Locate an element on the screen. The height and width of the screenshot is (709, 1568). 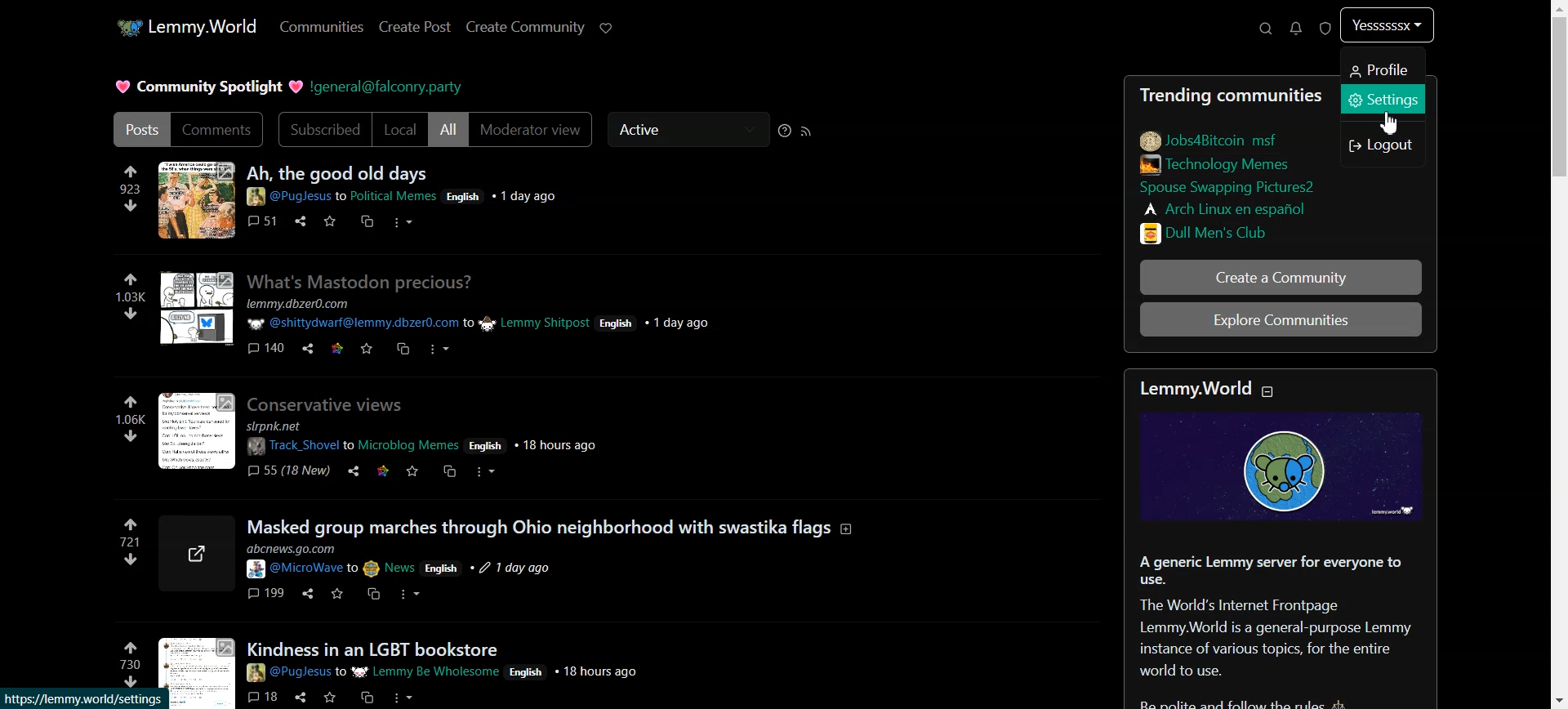
Community help is located at coordinates (785, 131).